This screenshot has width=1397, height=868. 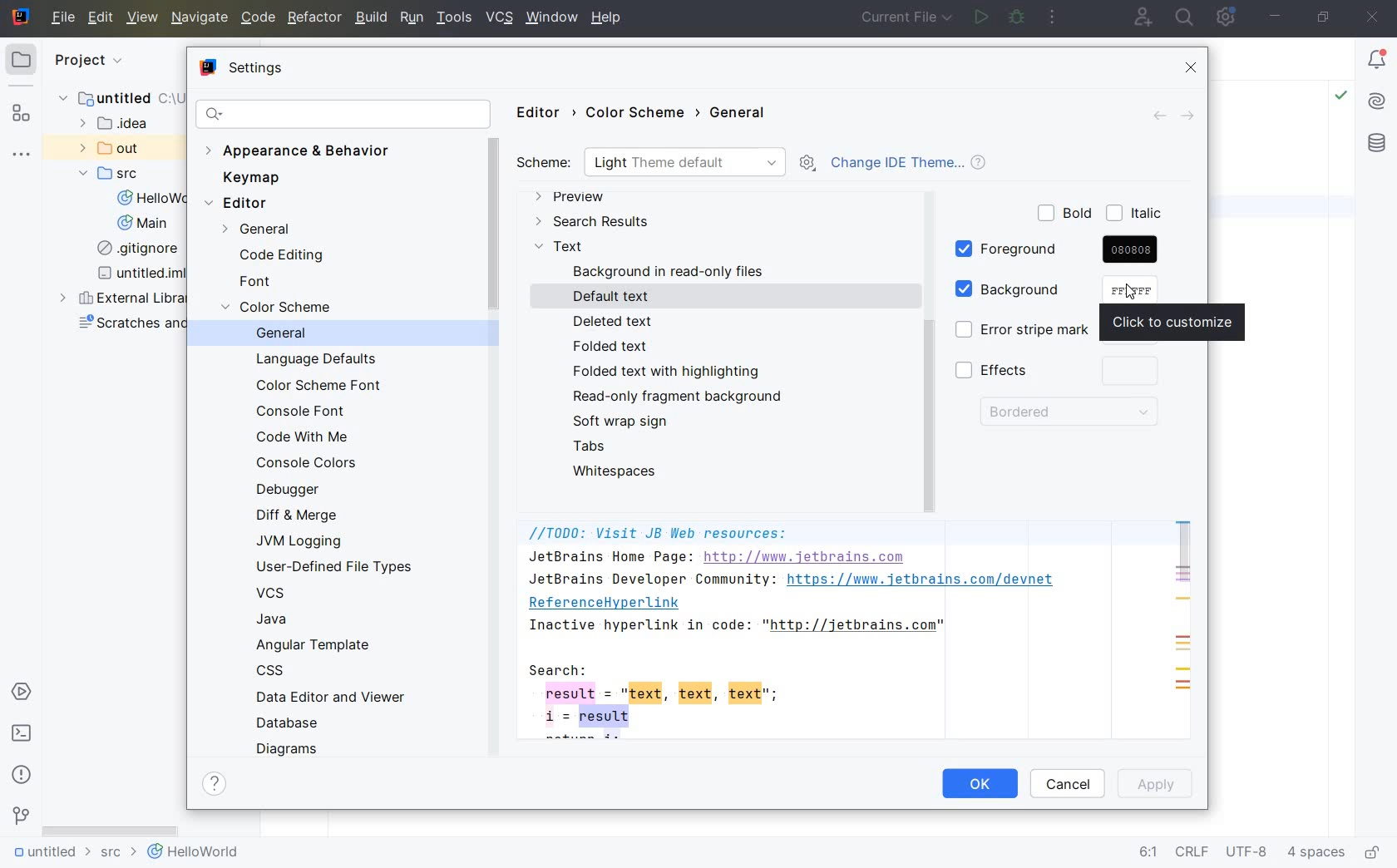 I want to click on Main, so click(x=143, y=225).